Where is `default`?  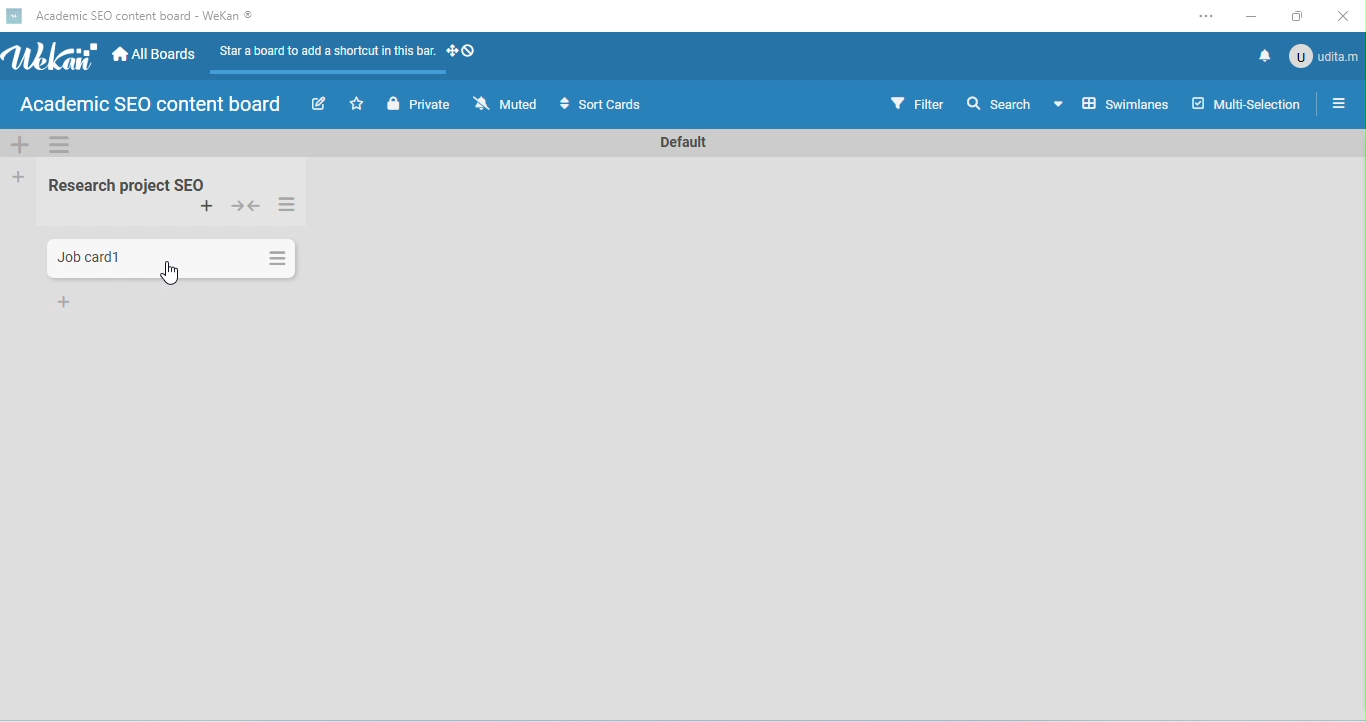
default is located at coordinates (685, 142).